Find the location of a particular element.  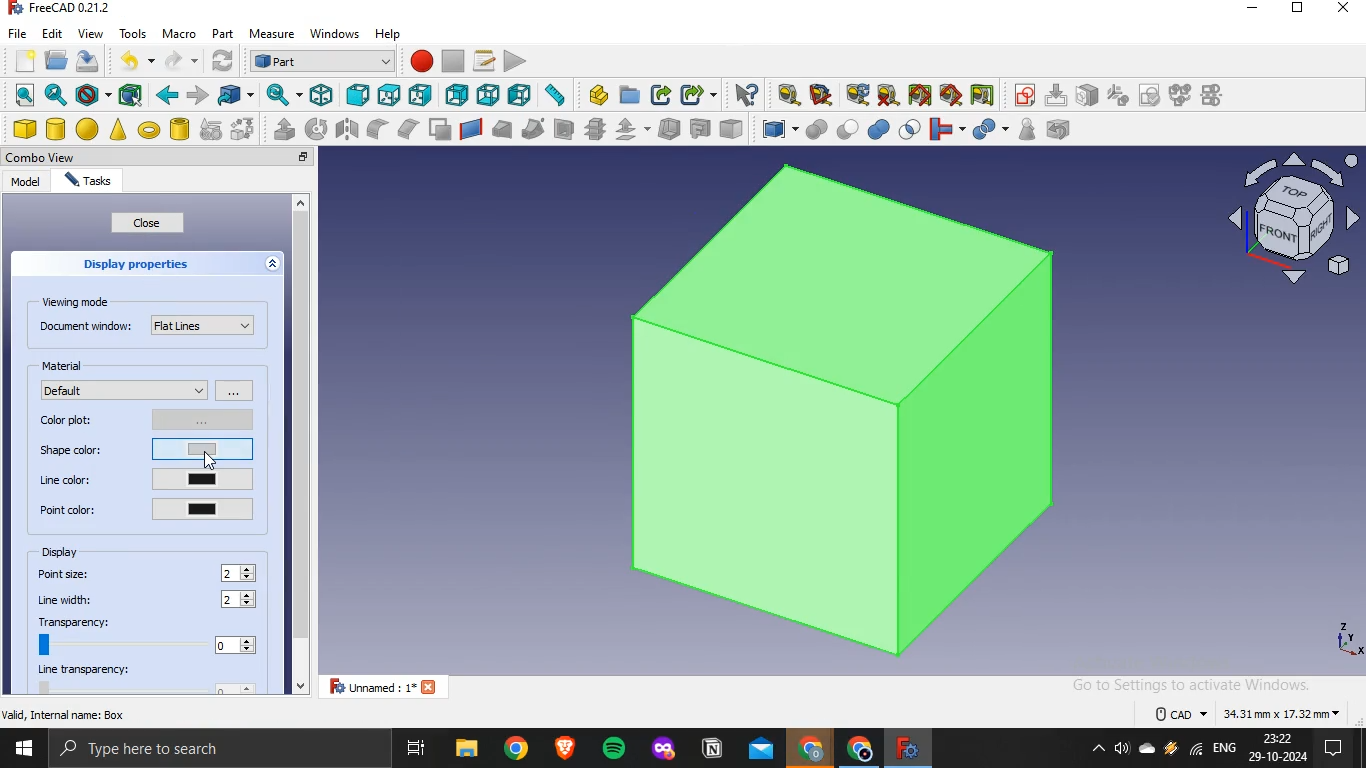

create folder is located at coordinates (631, 94).